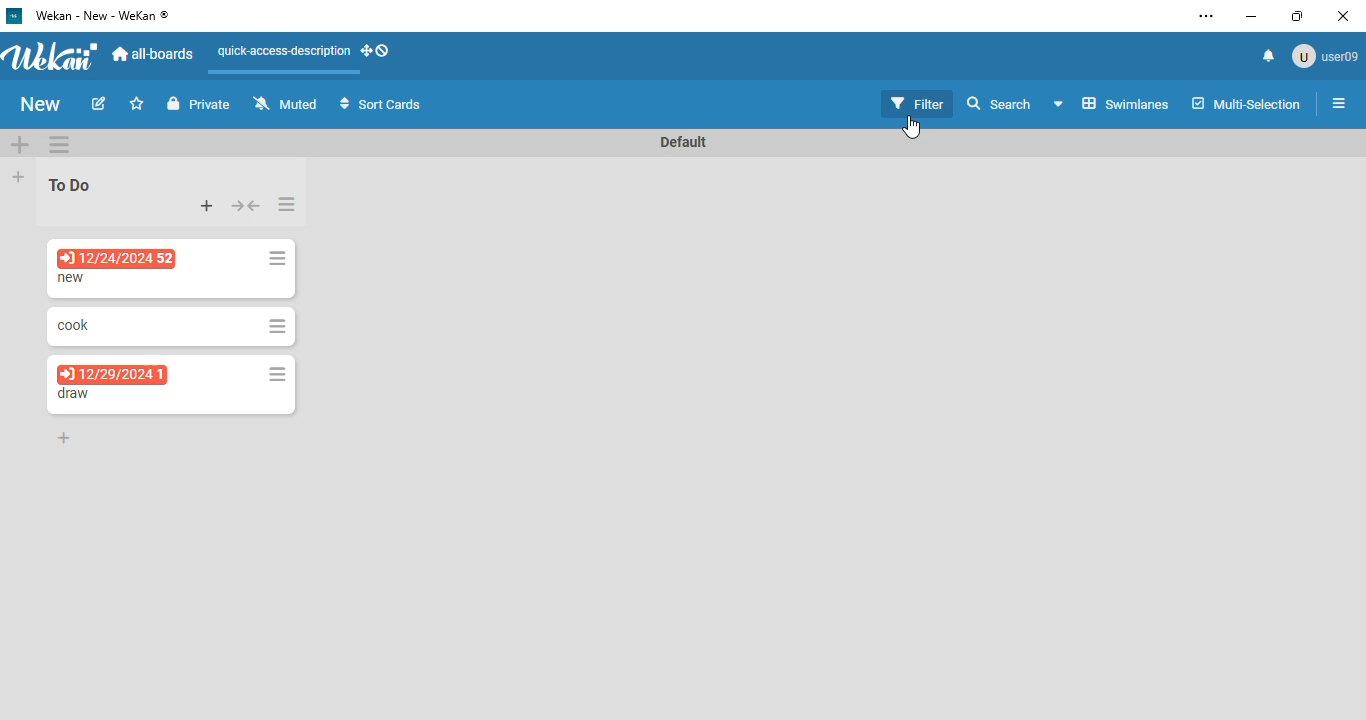  What do you see at coordinates (73, 278) in the screenshot?
I see `card name` at bounding box center [73, 278].